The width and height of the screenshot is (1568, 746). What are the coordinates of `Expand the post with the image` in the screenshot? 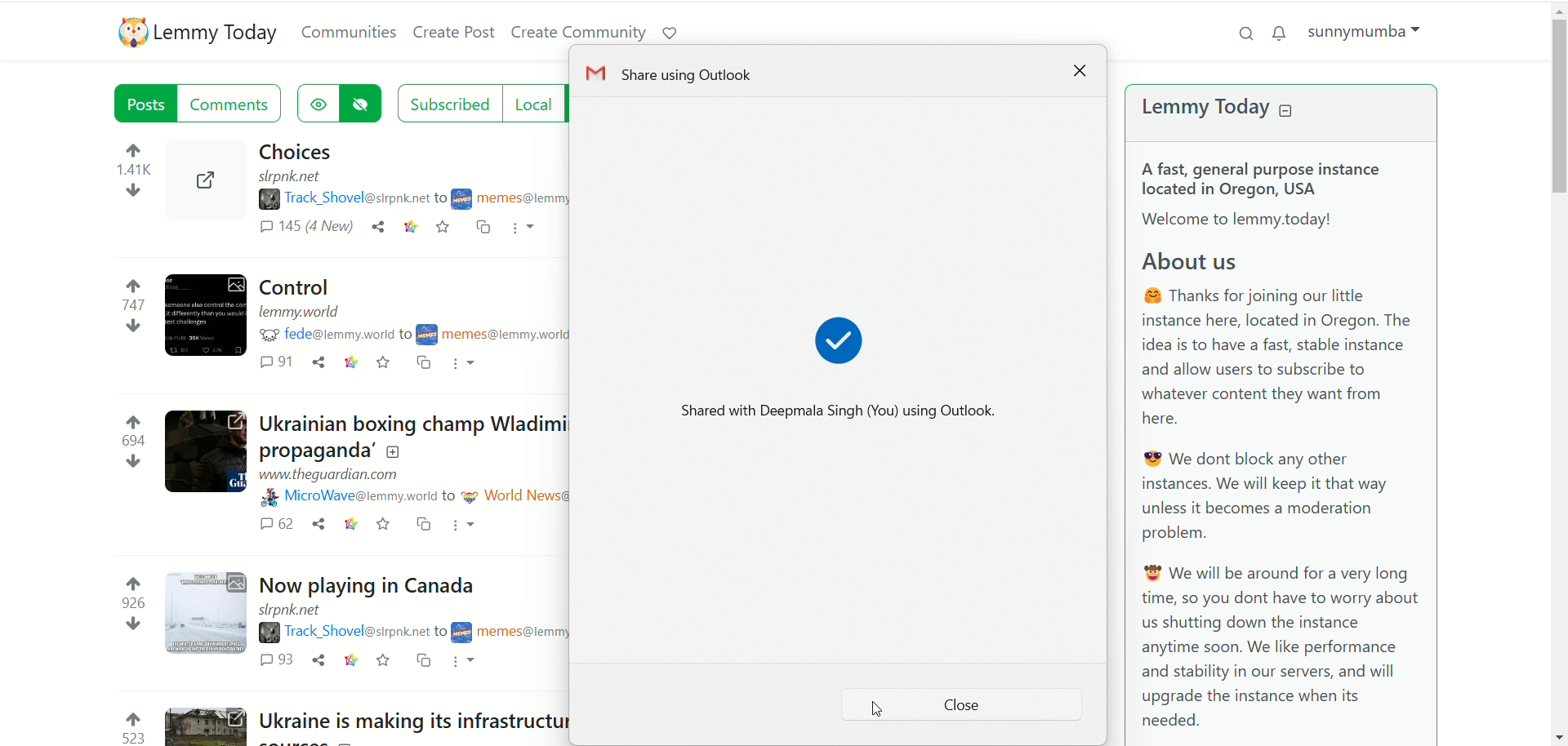 It's located at (207, 615).